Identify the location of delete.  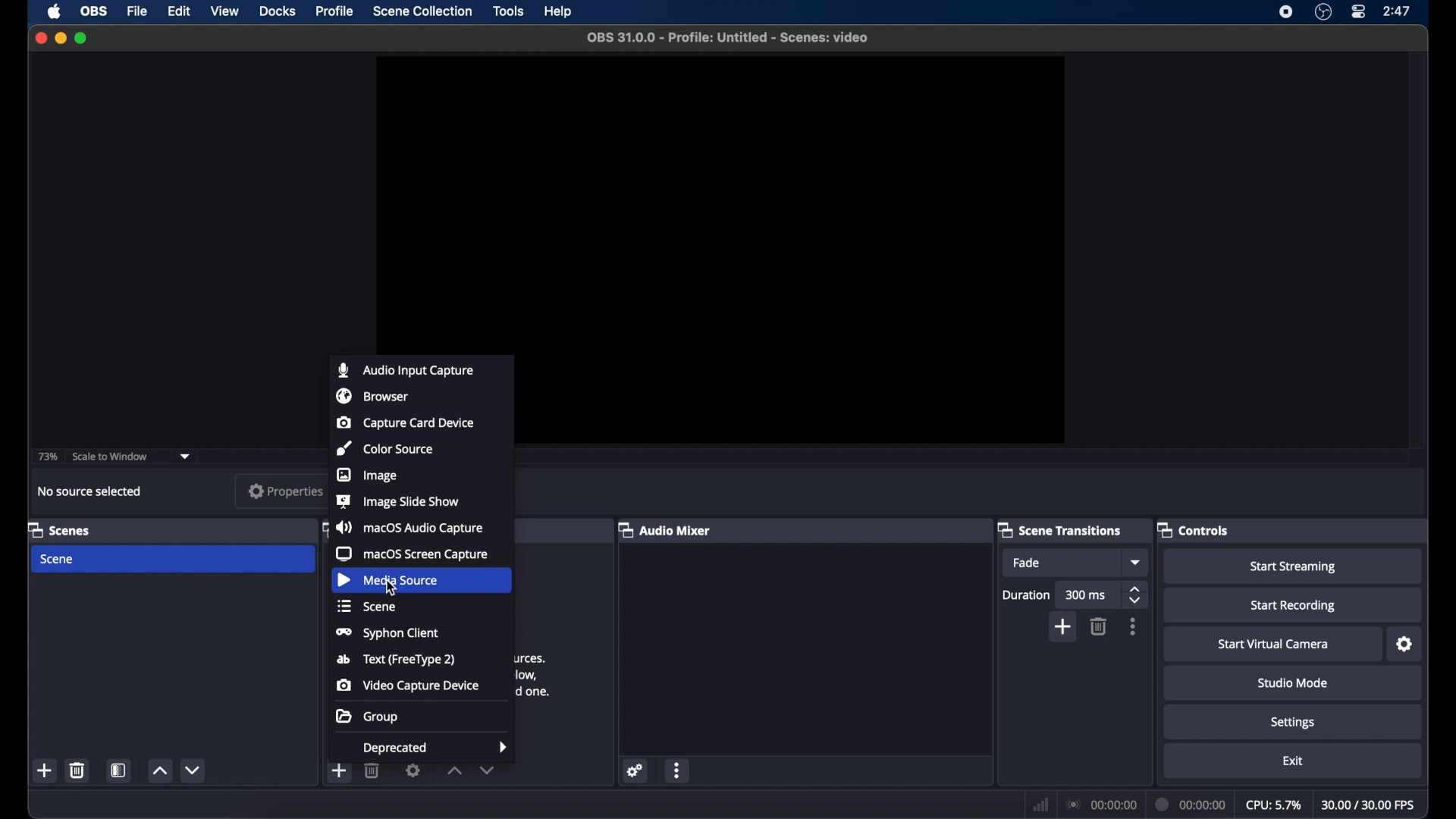
(77, 770).